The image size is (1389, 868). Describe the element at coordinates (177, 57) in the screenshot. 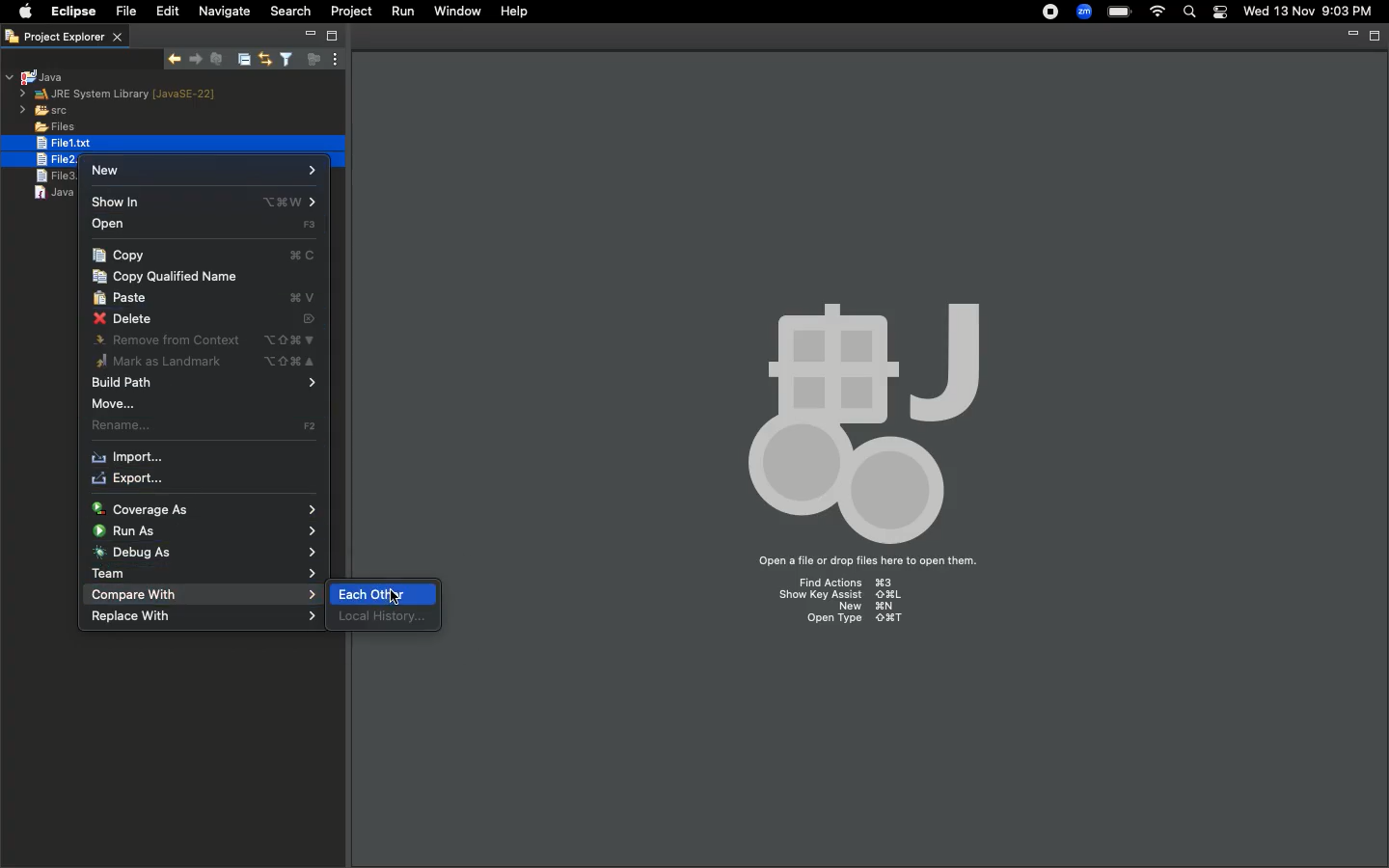

I see `Show next match` at that location.